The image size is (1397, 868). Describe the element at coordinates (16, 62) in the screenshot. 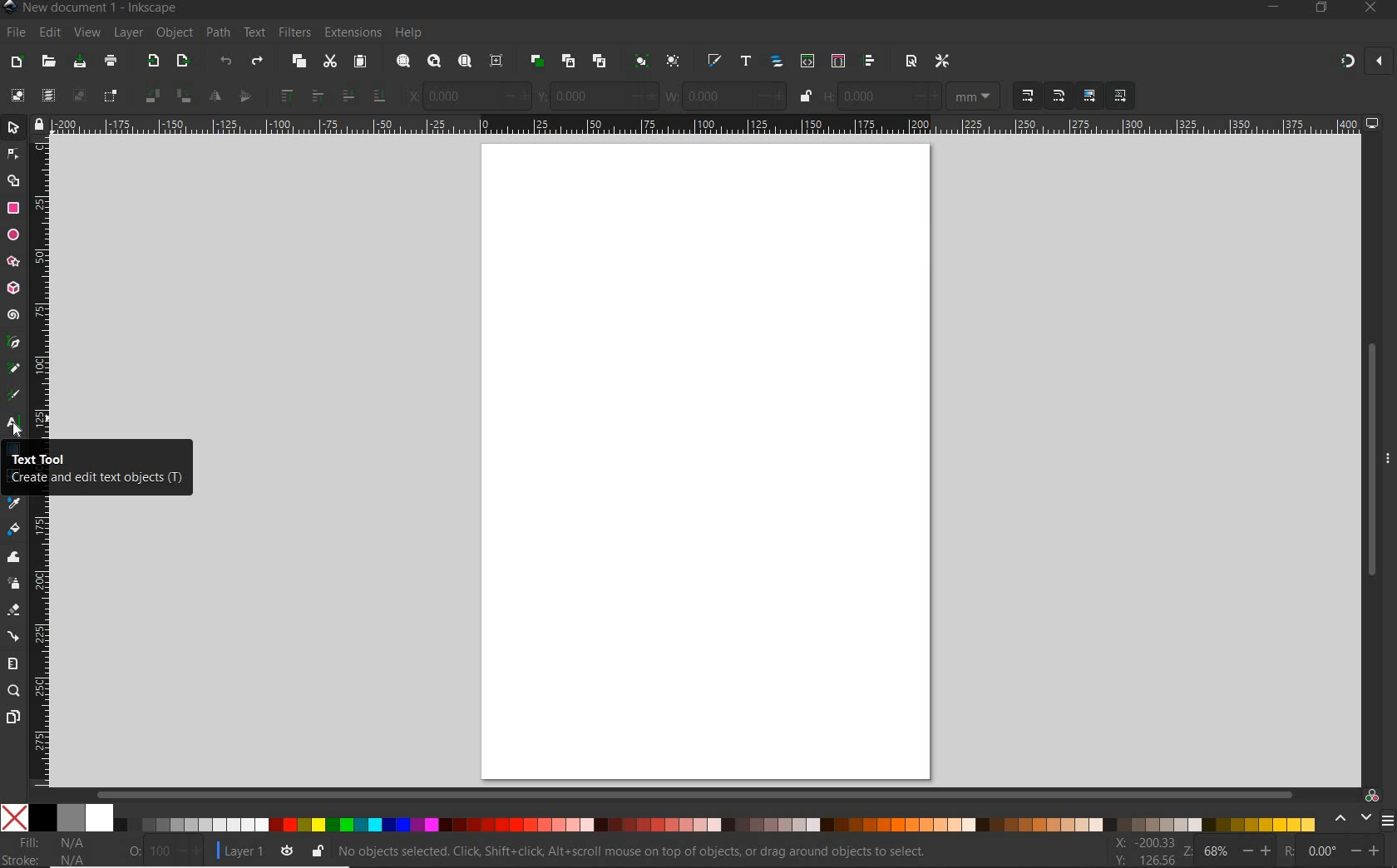

I see `new` at that location.